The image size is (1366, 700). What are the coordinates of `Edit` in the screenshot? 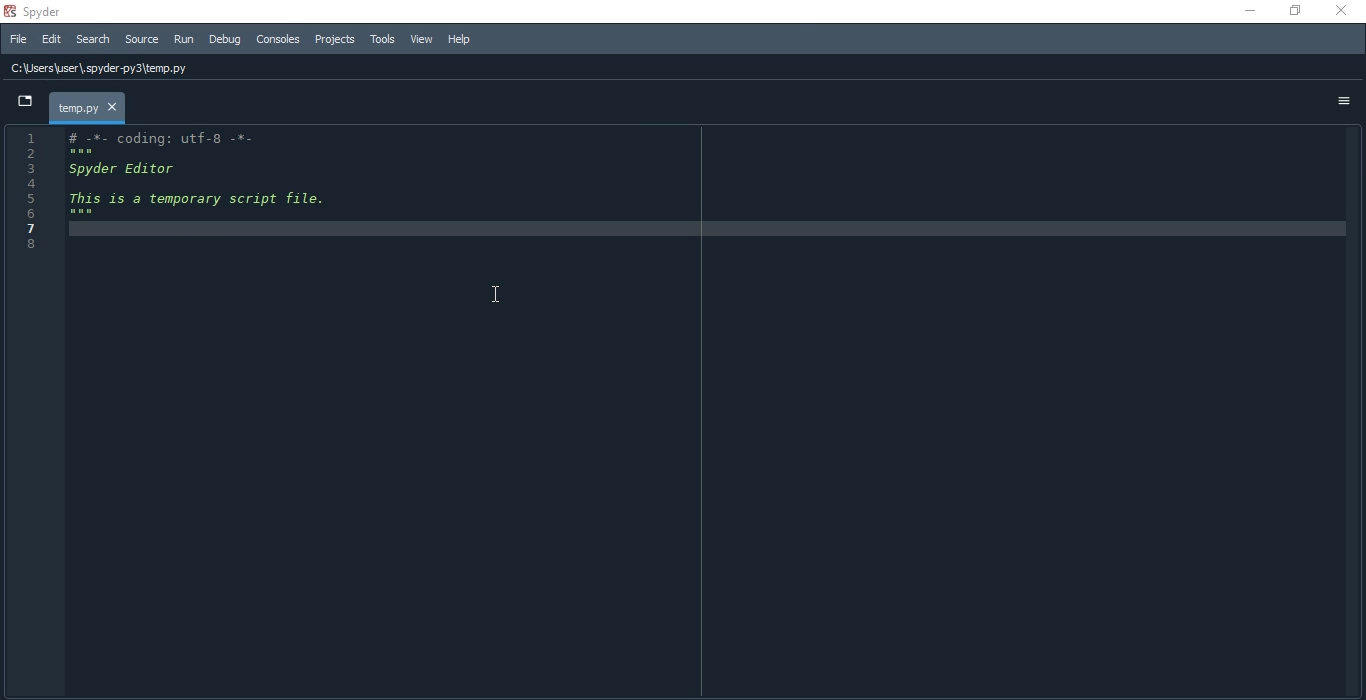 It's located at (54, 40).